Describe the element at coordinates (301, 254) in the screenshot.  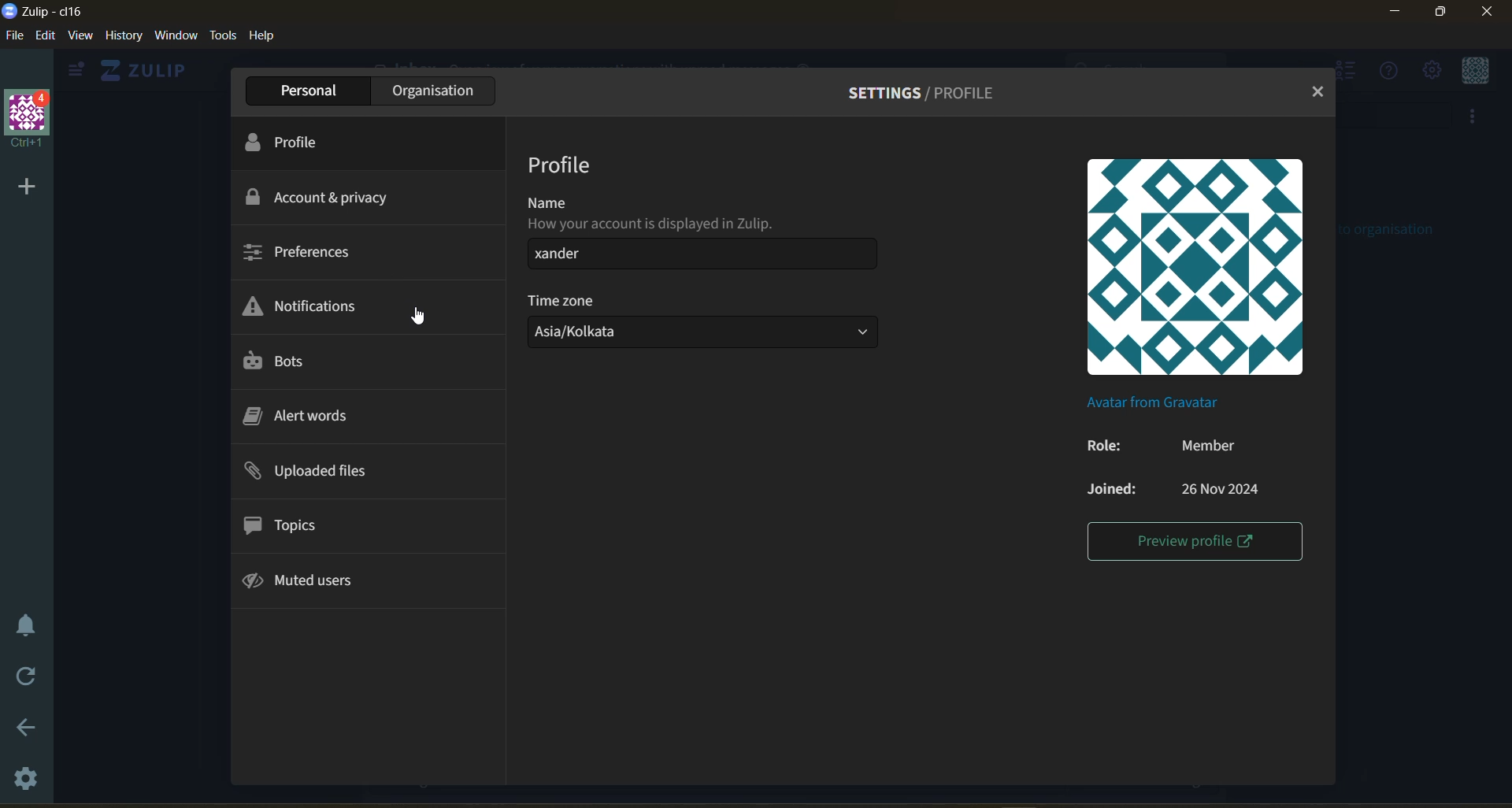
I see `preferences` at that location.